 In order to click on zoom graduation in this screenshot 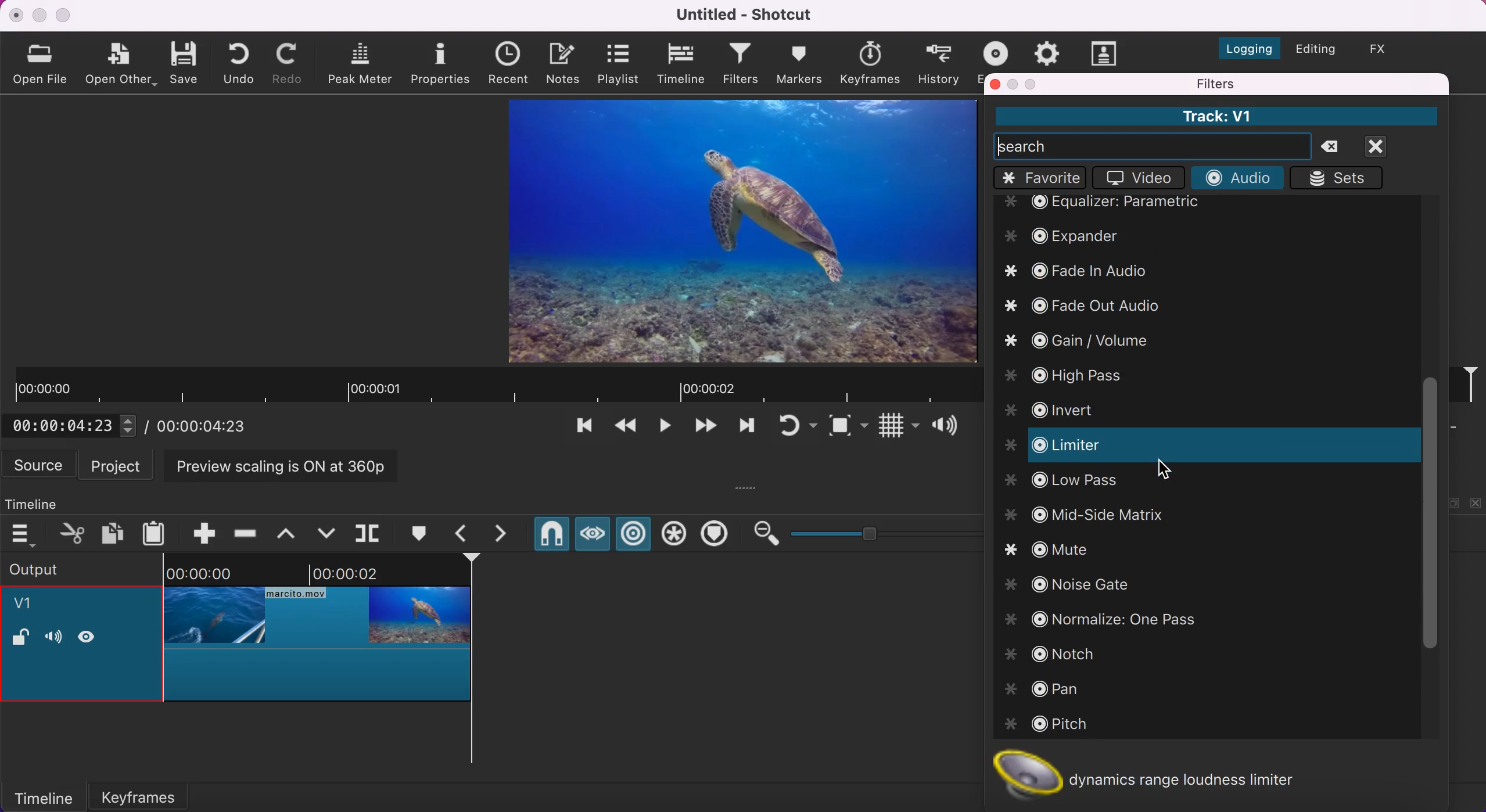, I will do `click(884, 531)`.